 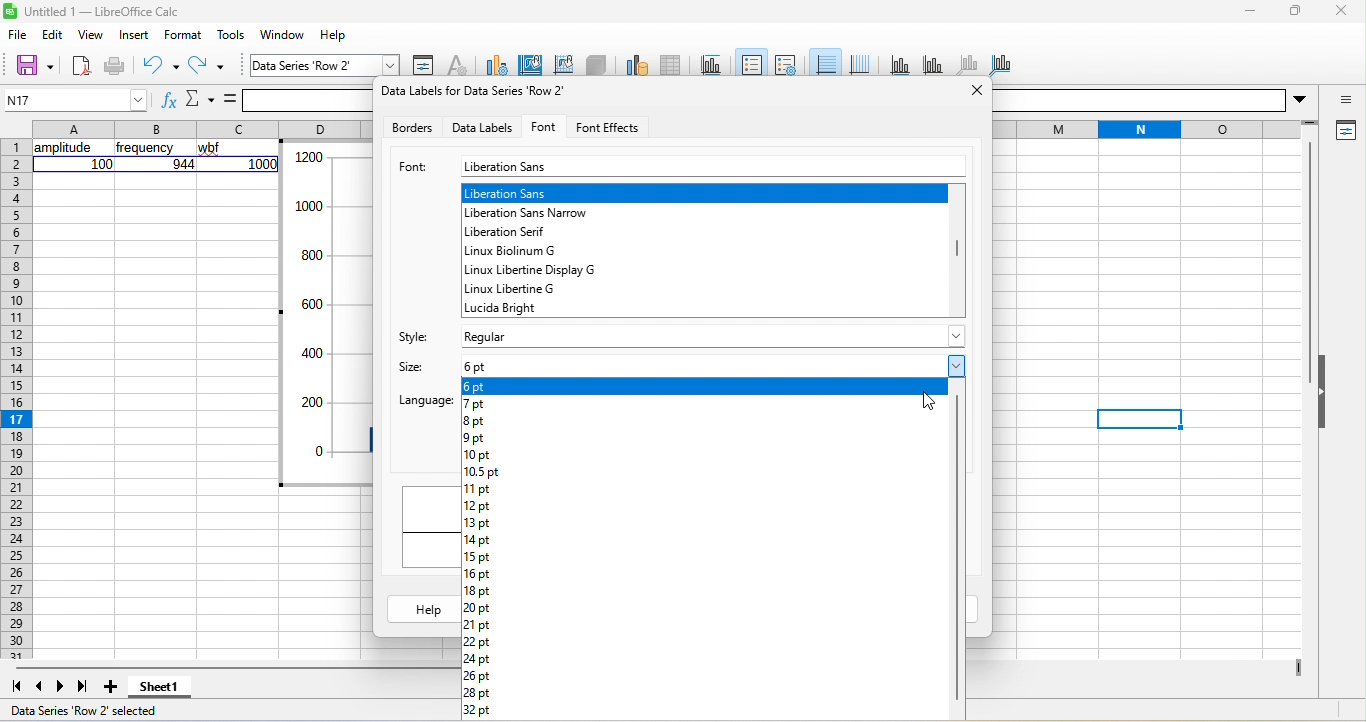 What do you see at coordinates (263, 164) in the screenshot?
I see `1000` at bounding box center [263, 164].